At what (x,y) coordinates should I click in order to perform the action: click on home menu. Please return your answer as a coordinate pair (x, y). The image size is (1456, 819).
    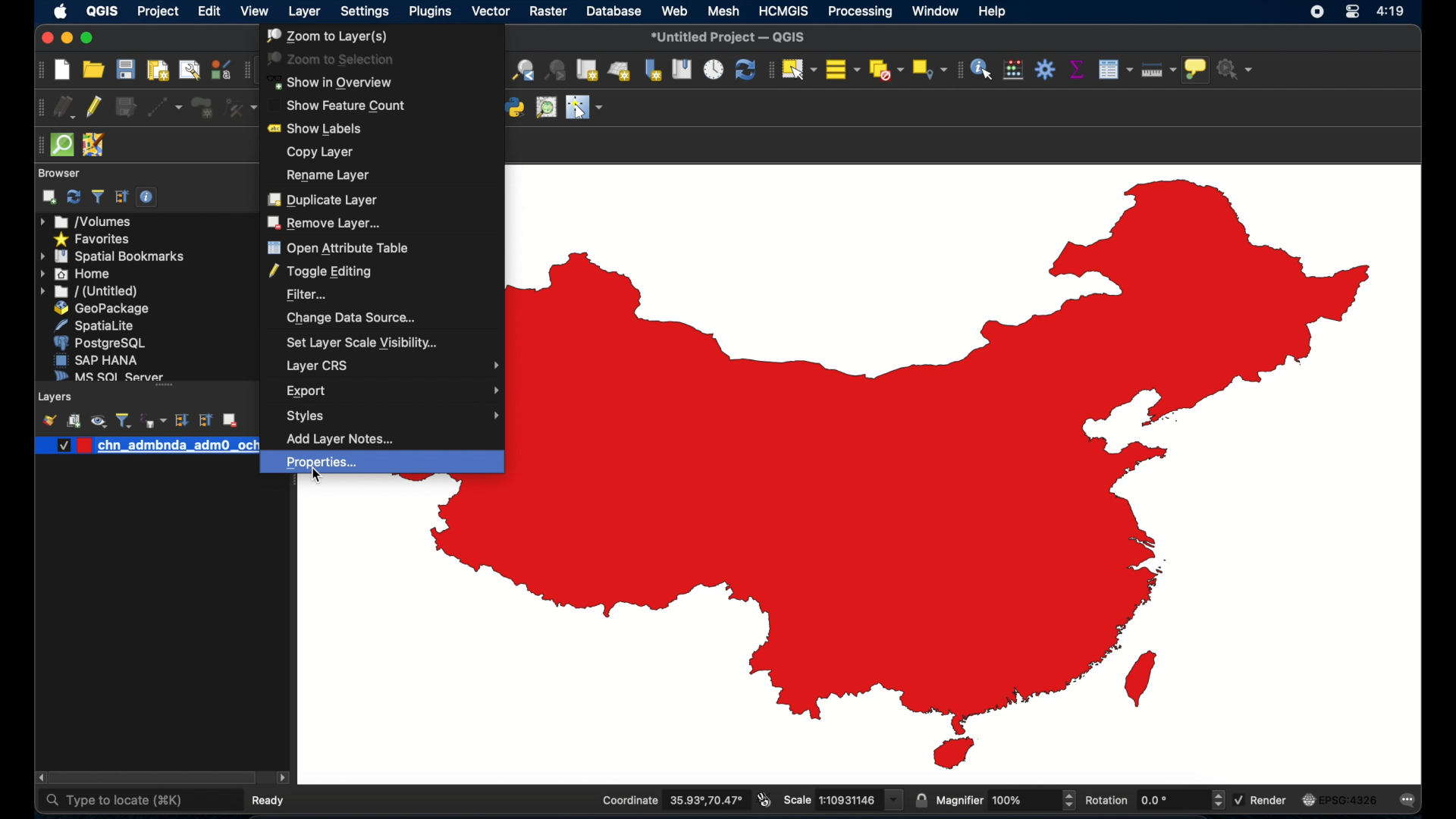
    Looking at the image, I should click on (77, 275).